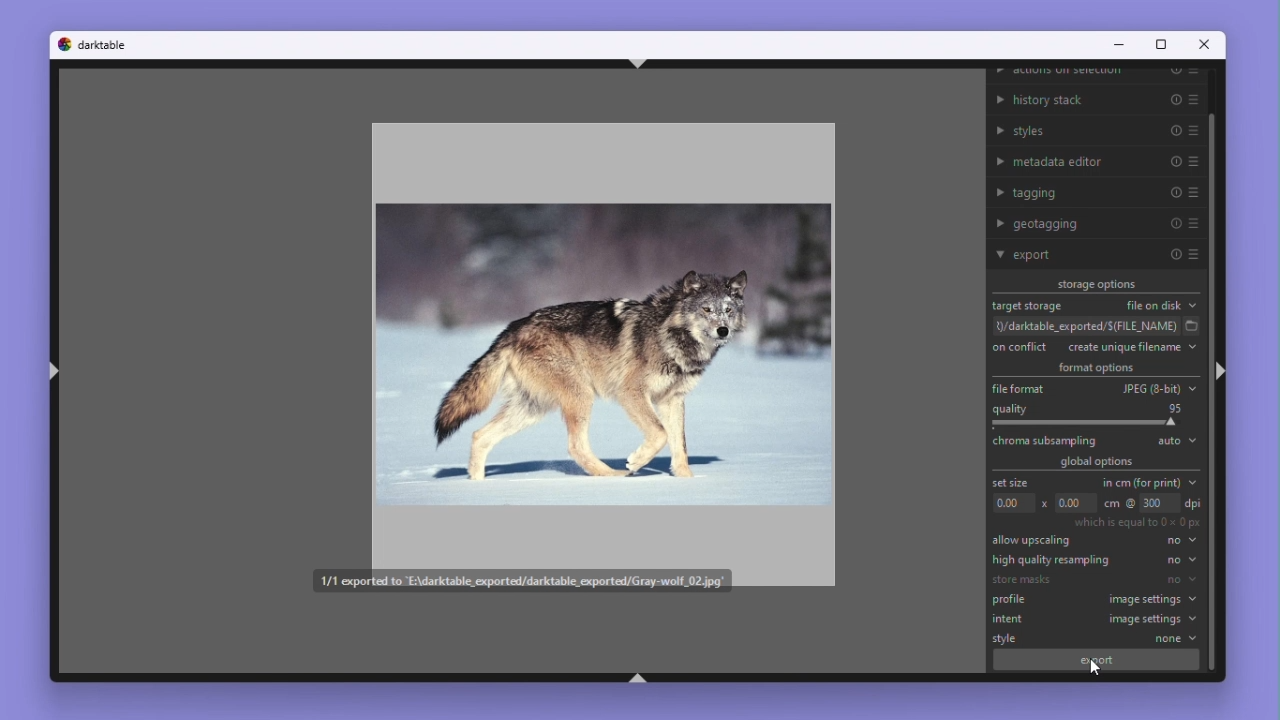  Describe the element at coordinates (1150, 482) in the screenshot. I see `In centimetres` at that location.